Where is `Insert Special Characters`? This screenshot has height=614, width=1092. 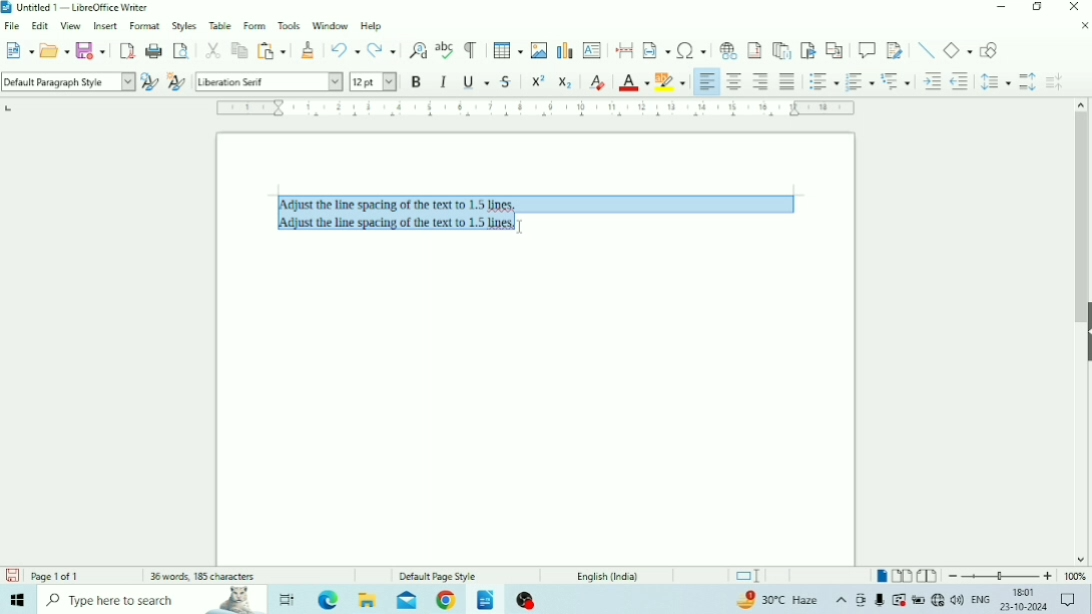 Insert Special Characters is located at coordinates (692, 49).